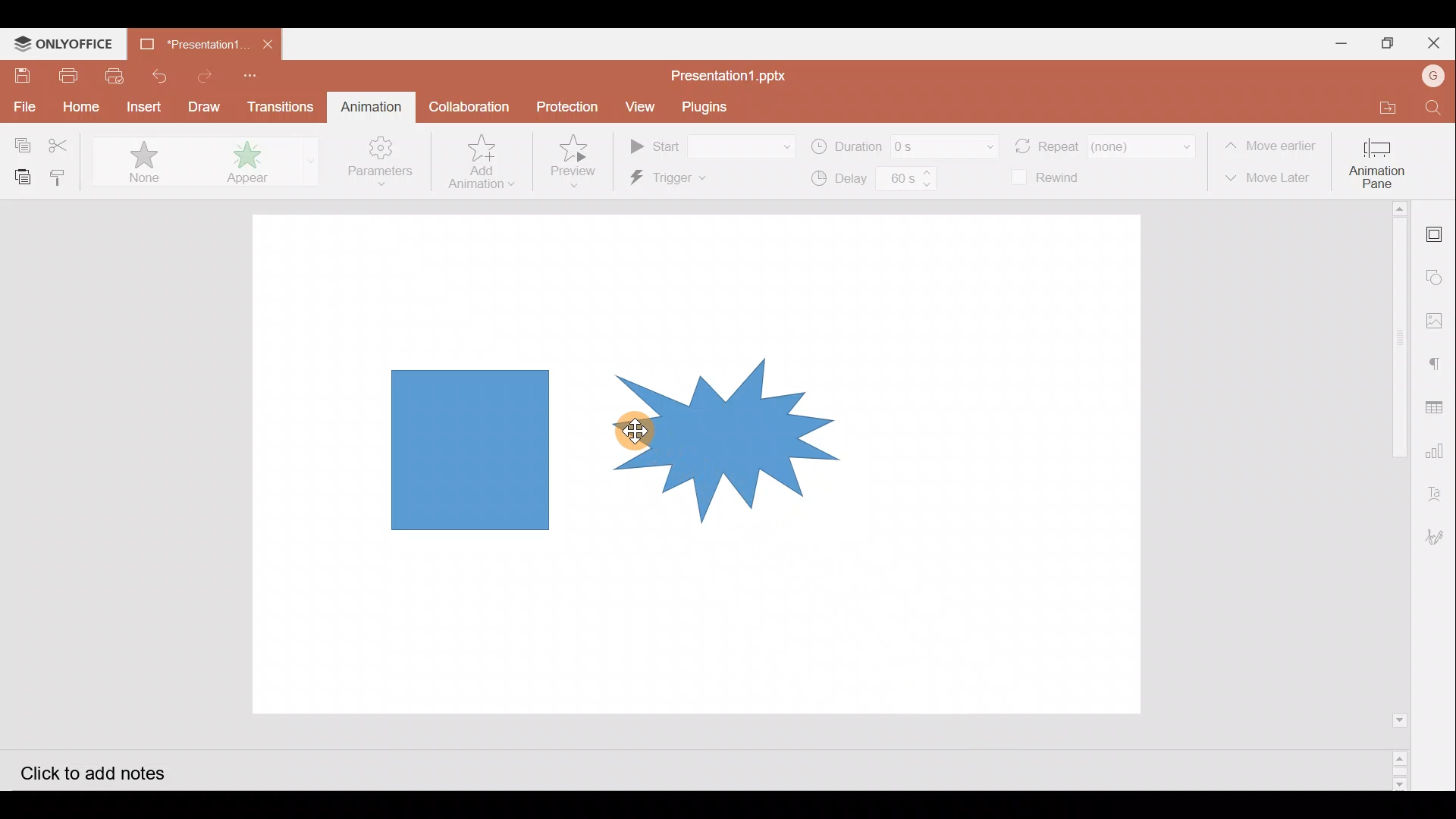 This screenshot has width=1456, height=819. I want to click on Customize quick access toolbar, so click(247, 73).